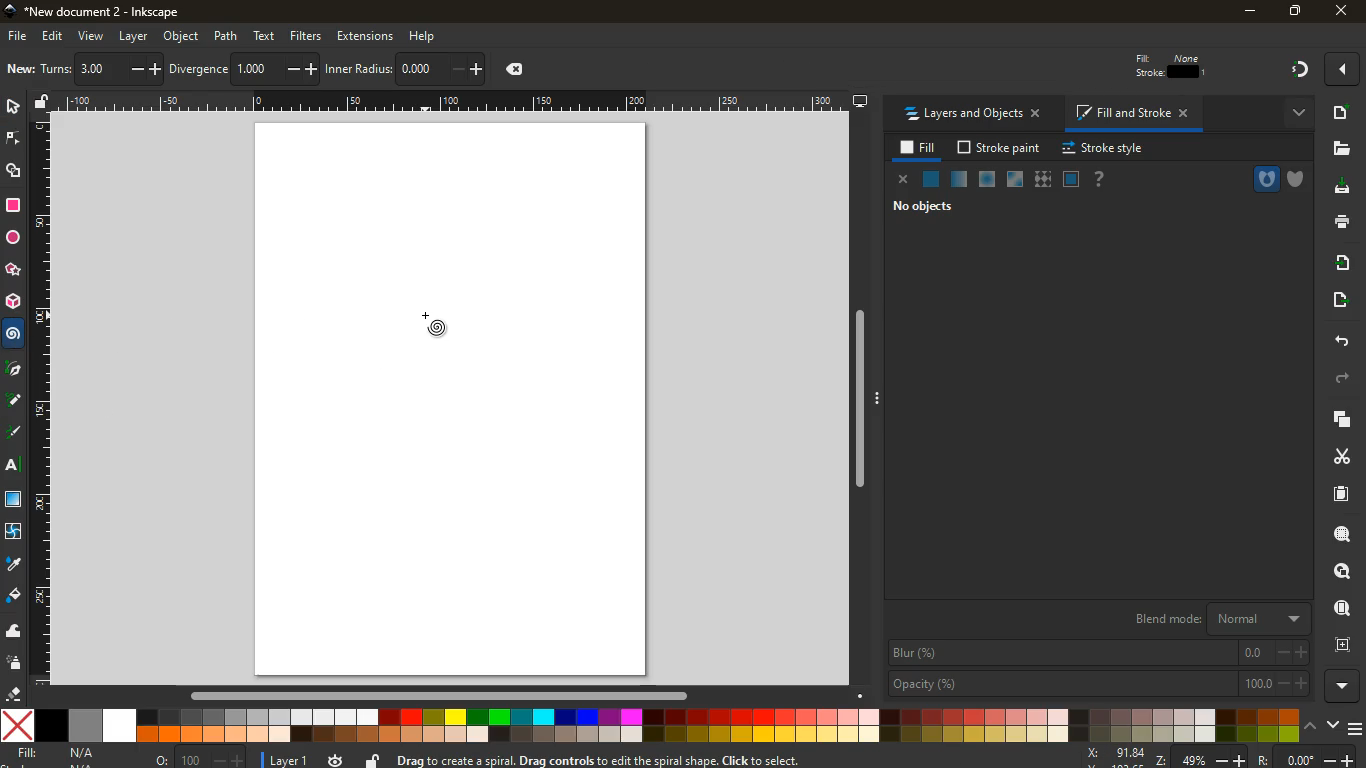  What do you see at coordinates (1342, 495) in the screenshot?
I see `paper` at bounding box center [1342, 495].